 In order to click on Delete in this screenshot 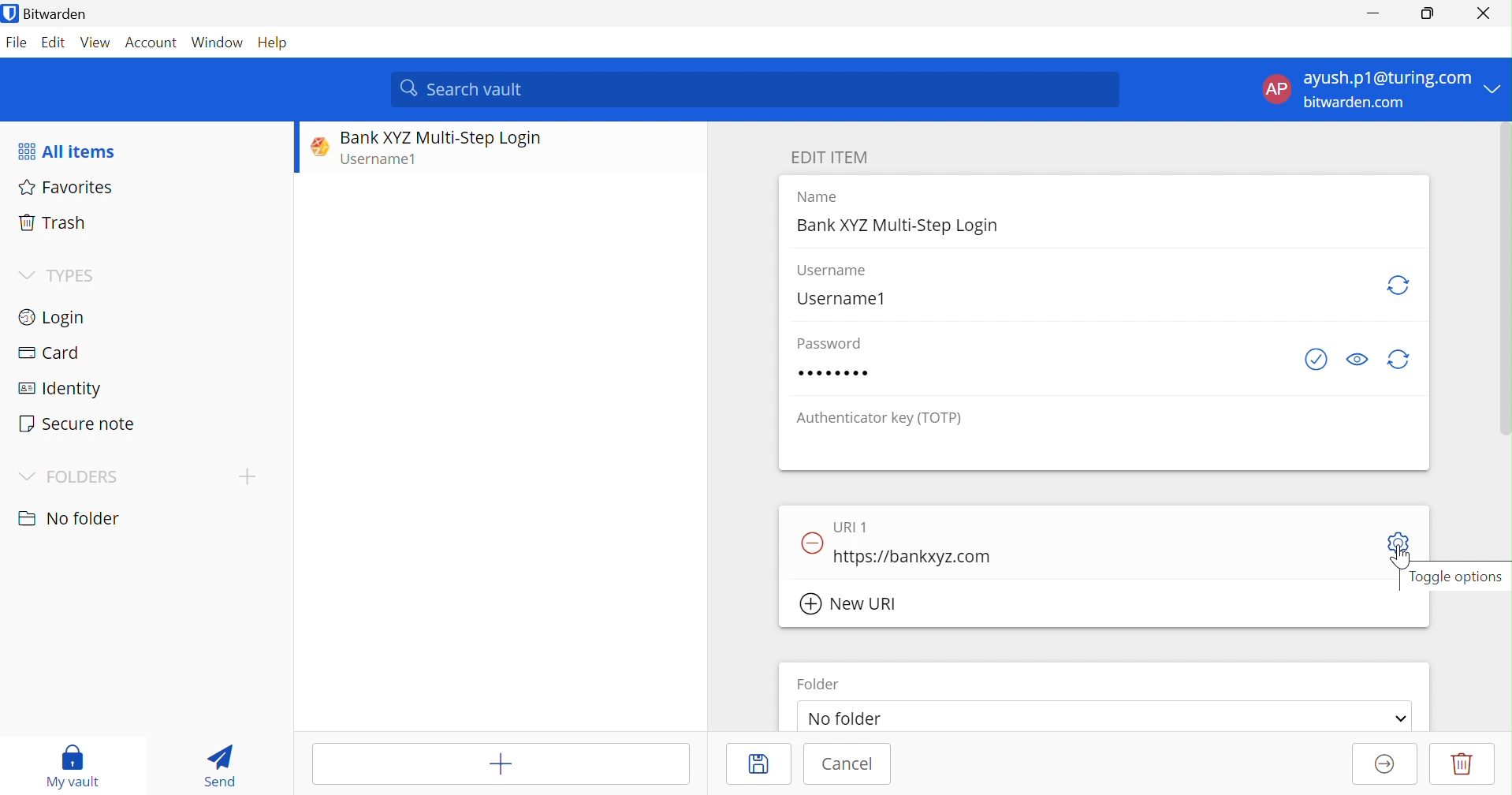, I will do `click(1462, 763)`.